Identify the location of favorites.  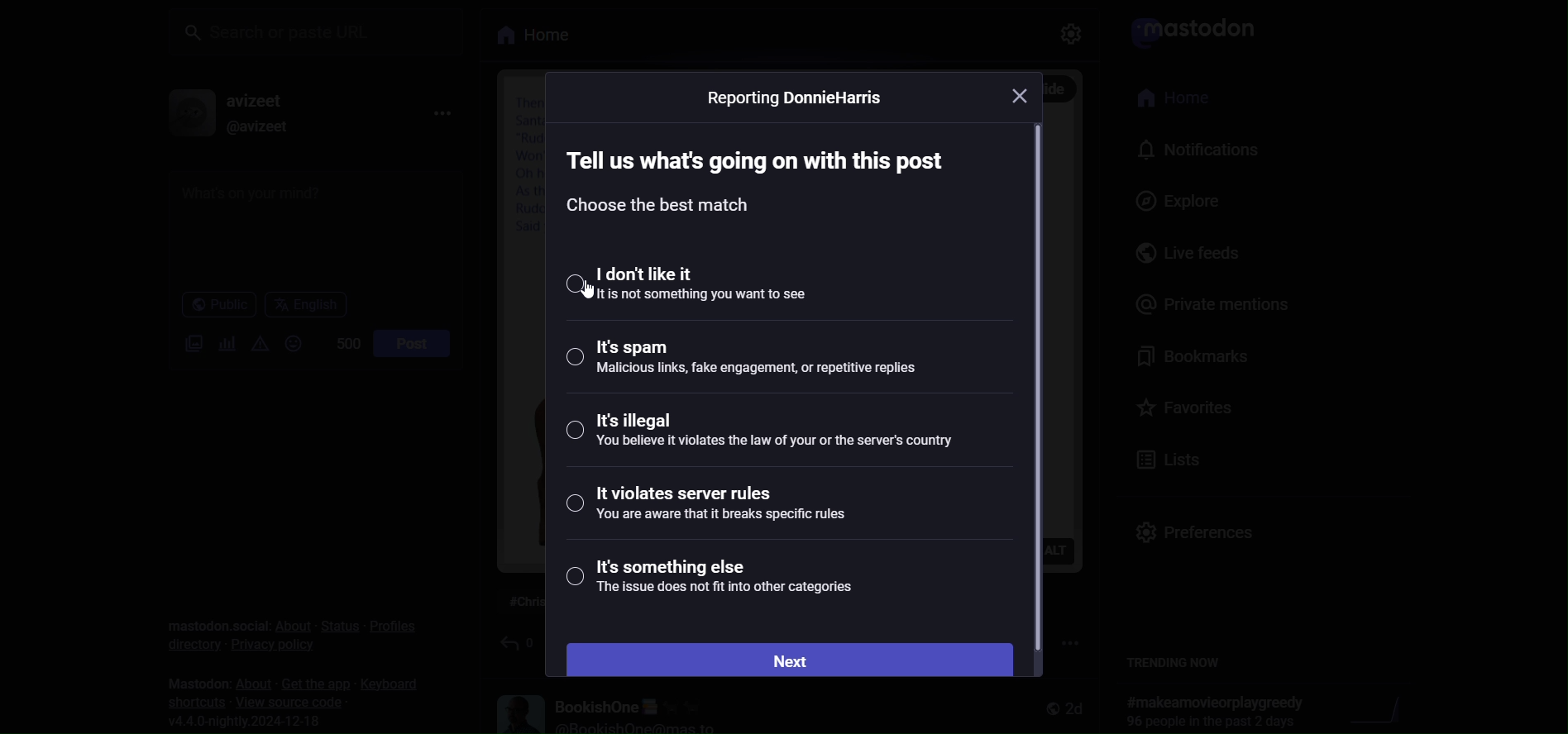
(1185, 405).